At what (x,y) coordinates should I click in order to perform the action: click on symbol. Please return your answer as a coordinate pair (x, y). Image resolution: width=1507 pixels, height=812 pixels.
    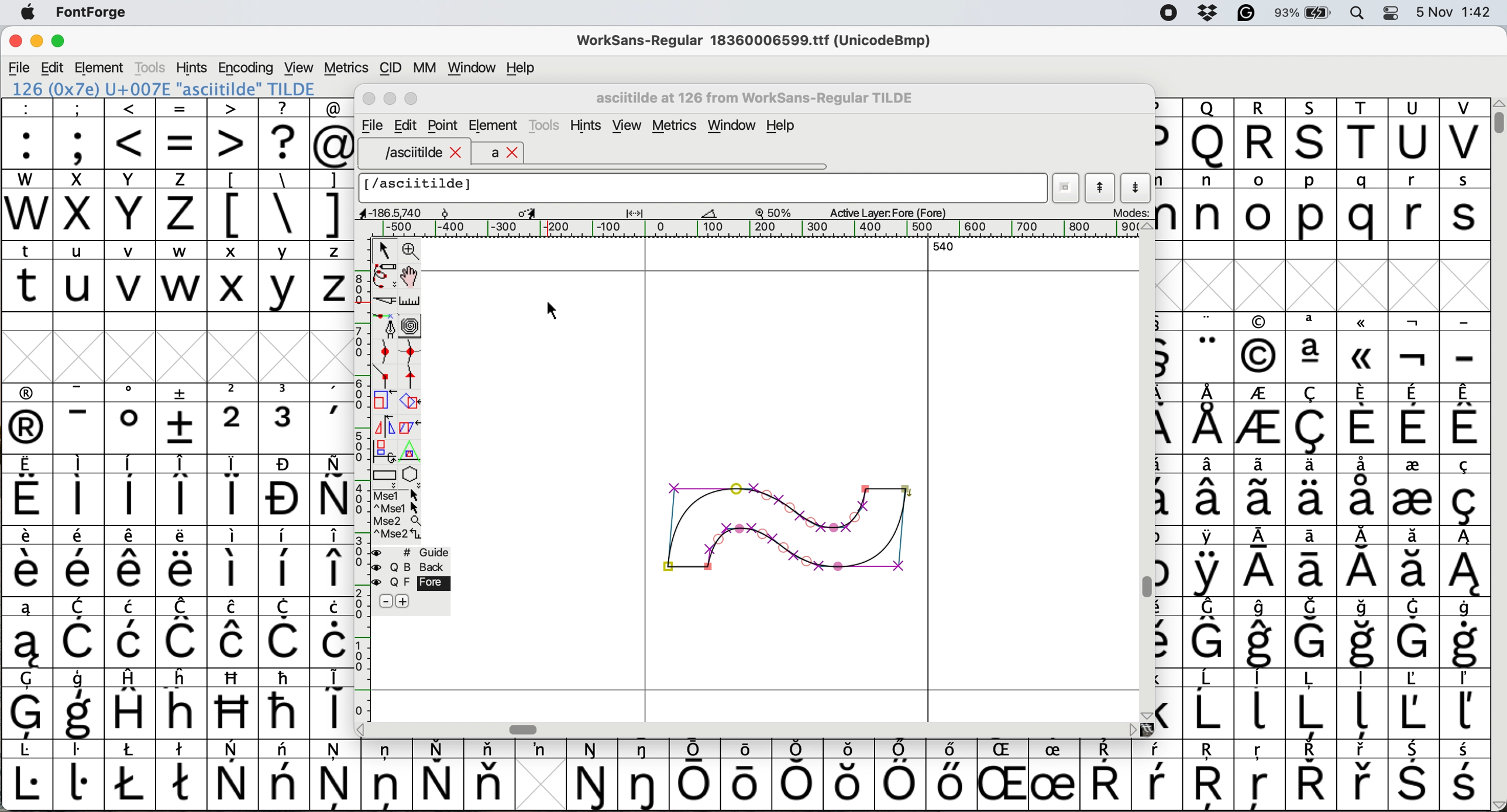
    Looking at the image, I should click on (130, 490).